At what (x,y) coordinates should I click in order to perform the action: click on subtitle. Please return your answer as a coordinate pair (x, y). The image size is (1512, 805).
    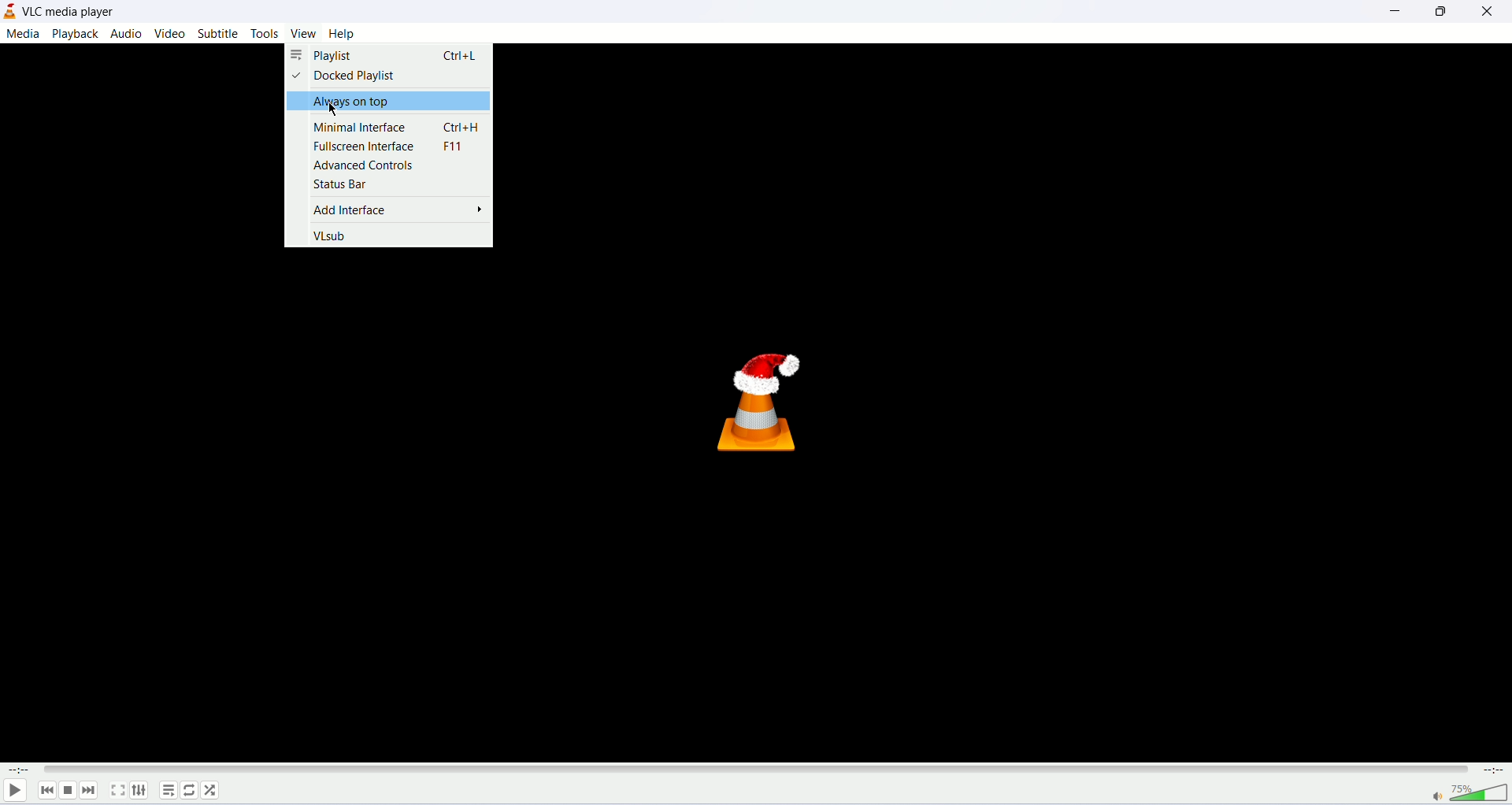
    Looking at the image, I should click on (217, 33).